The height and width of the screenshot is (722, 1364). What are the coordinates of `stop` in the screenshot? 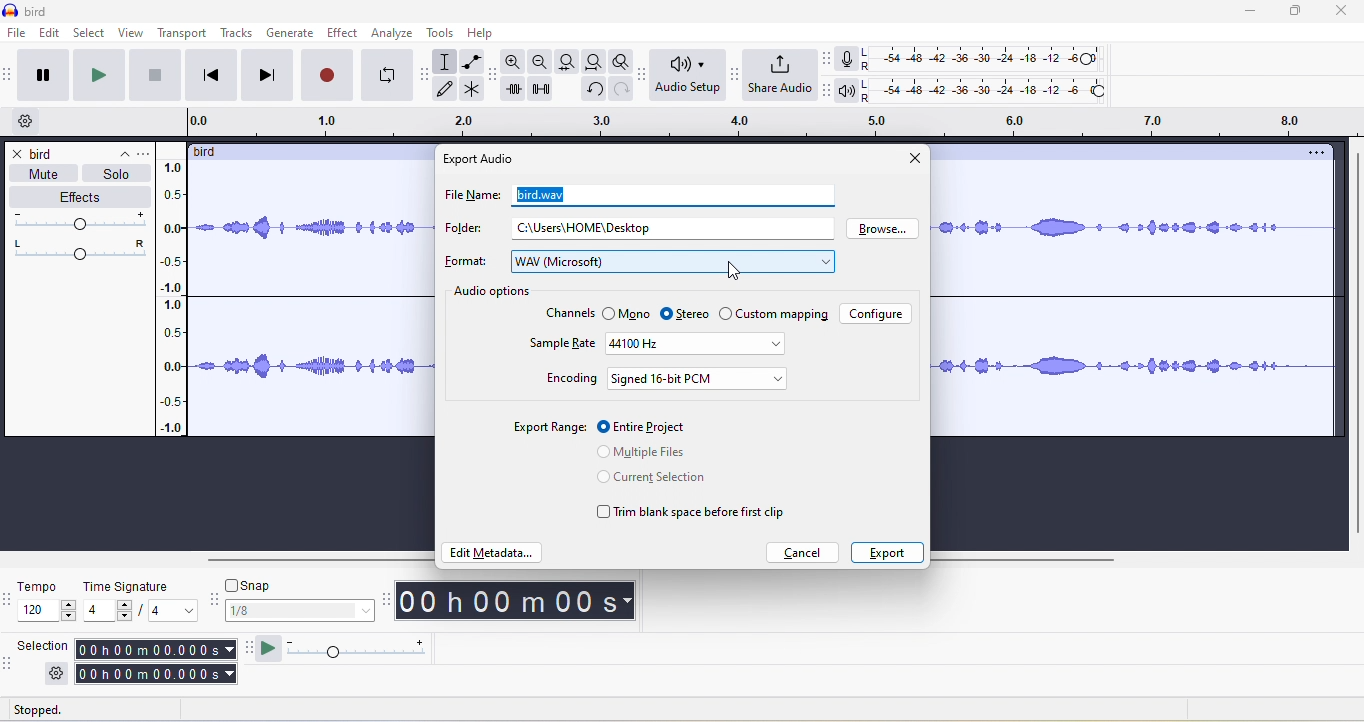 It's located at (157, 80).